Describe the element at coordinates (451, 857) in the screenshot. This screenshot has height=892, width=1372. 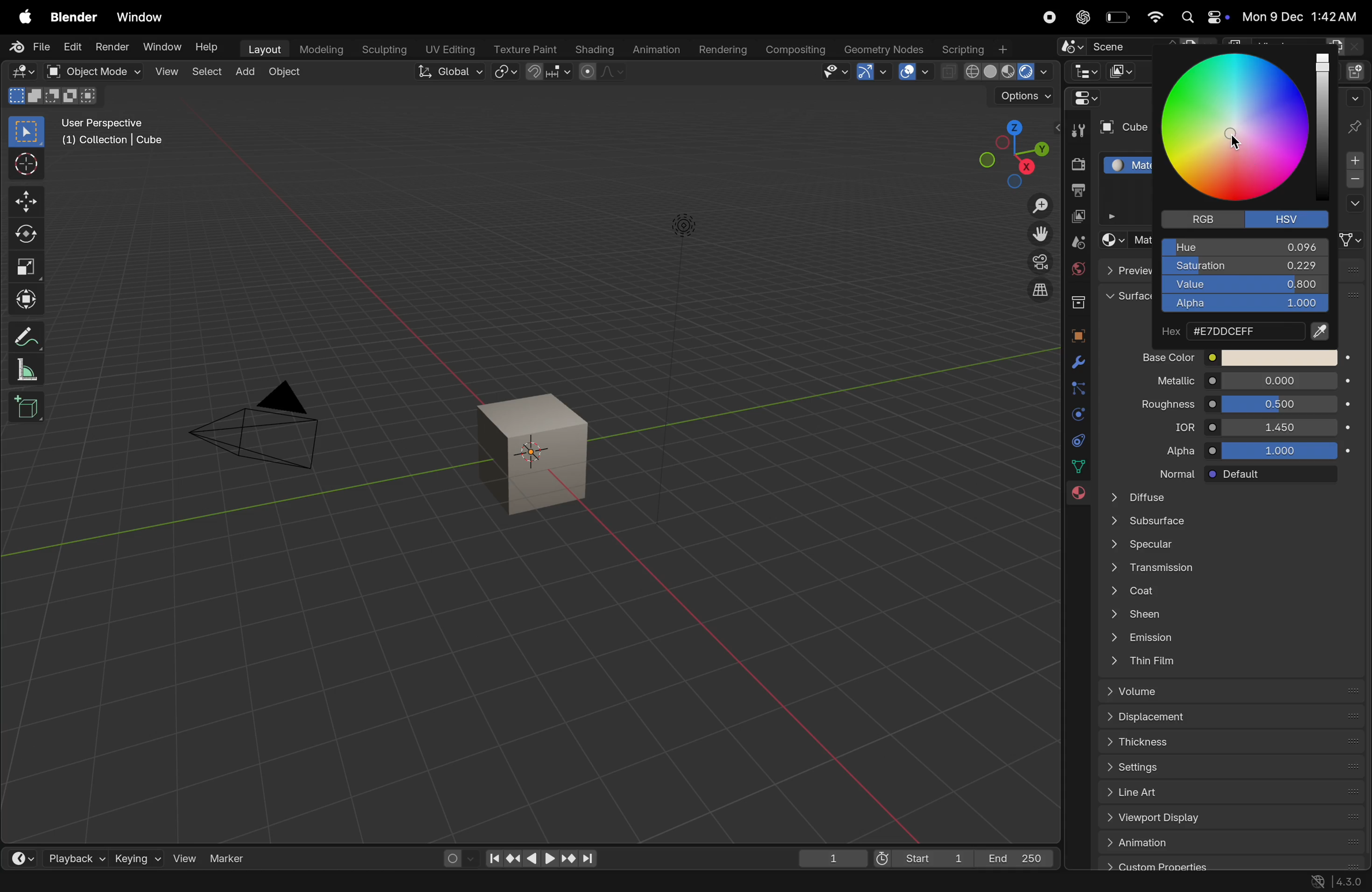
I see `auuto keying` at that location.